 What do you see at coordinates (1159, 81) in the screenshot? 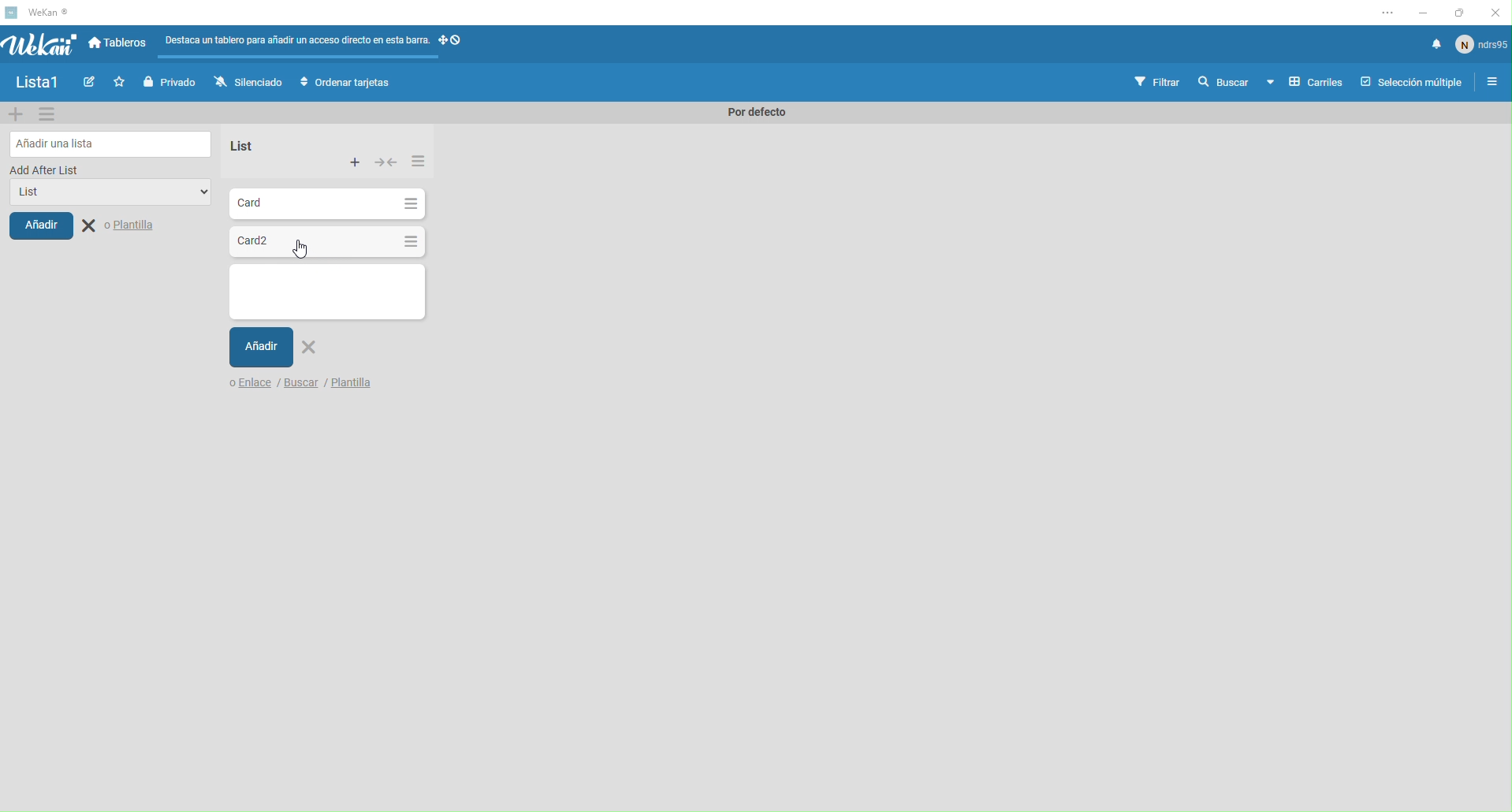
I see `filtrar` at bounding box center [1159, 81].